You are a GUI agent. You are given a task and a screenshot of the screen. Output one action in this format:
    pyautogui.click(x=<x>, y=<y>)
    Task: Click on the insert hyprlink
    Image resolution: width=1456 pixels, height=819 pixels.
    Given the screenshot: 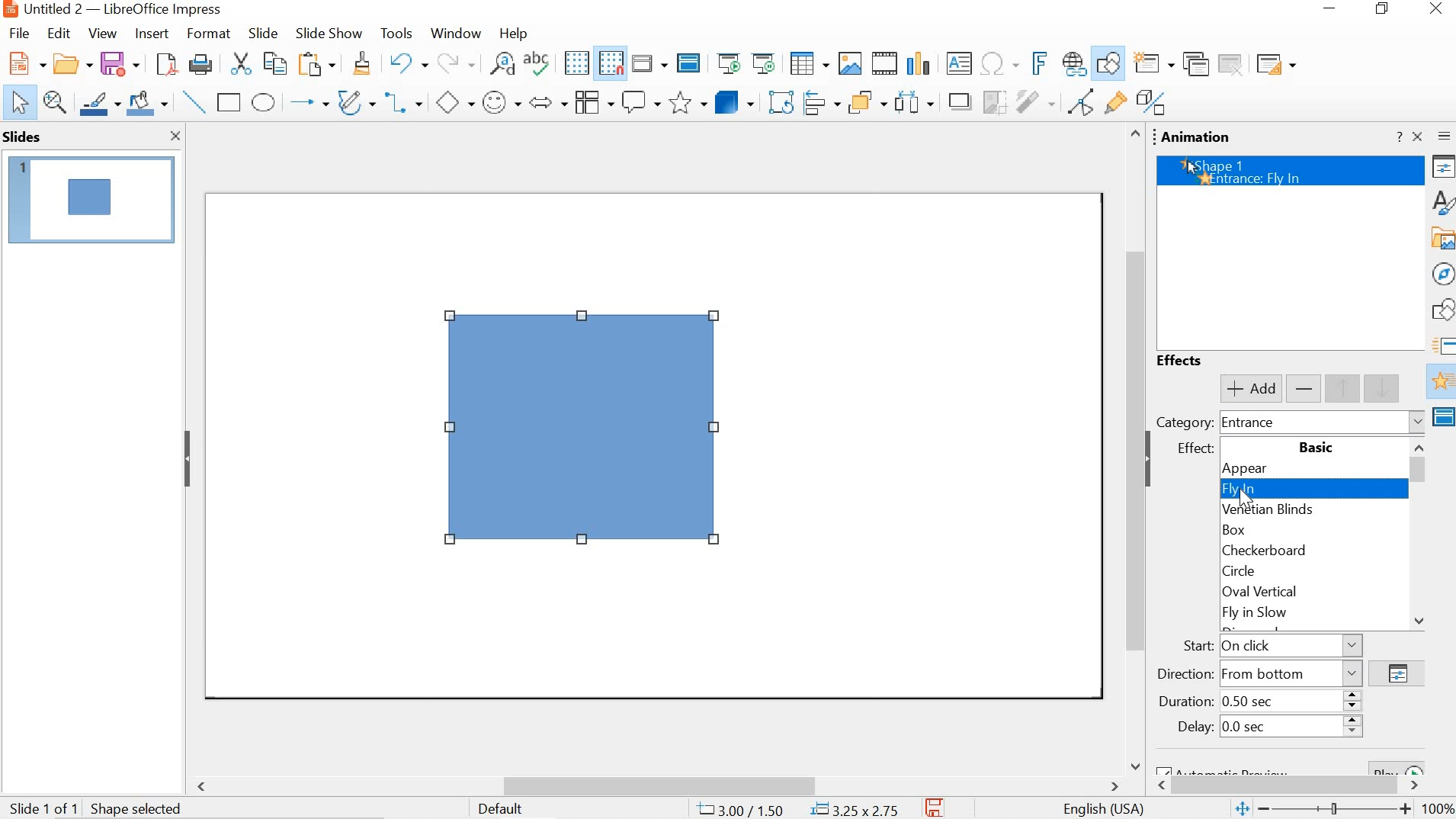 What is the action you would take?
    pyautogui.click(x=1075, y=61)
    